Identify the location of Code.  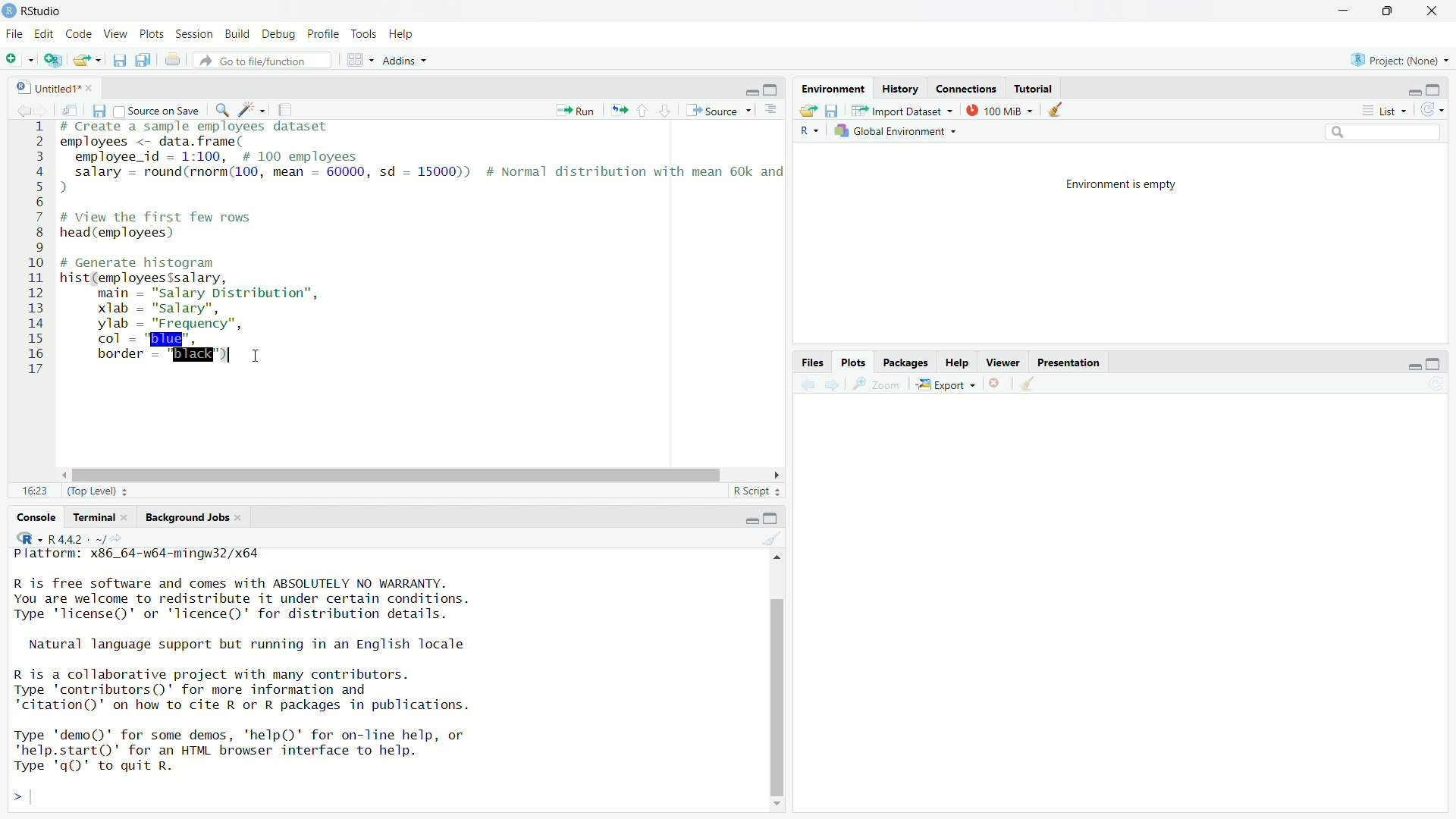
(80, 34).